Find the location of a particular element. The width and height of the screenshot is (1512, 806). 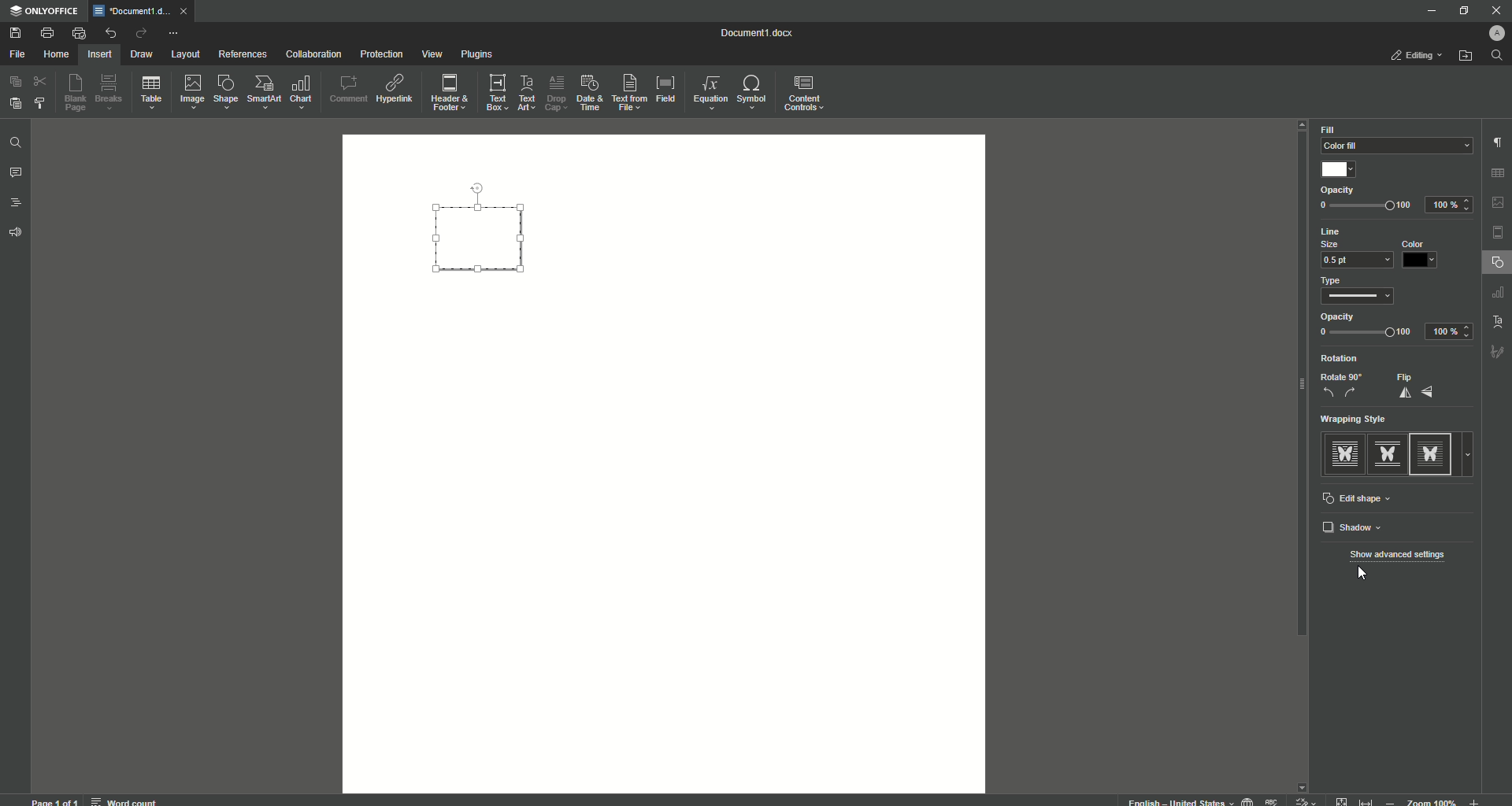

spell checking is located at coordinates (1273, 800).